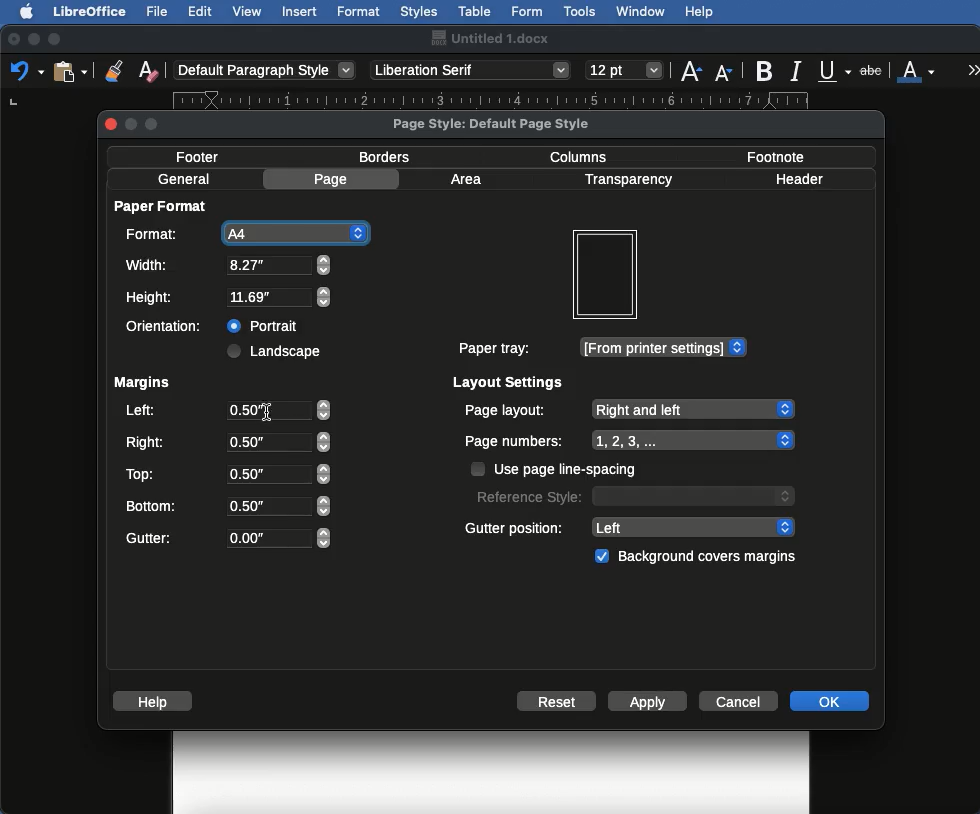  What do you see at coordinates (641, 12) in the screenshot?
I see `Window` at bounding box center [641, 12].